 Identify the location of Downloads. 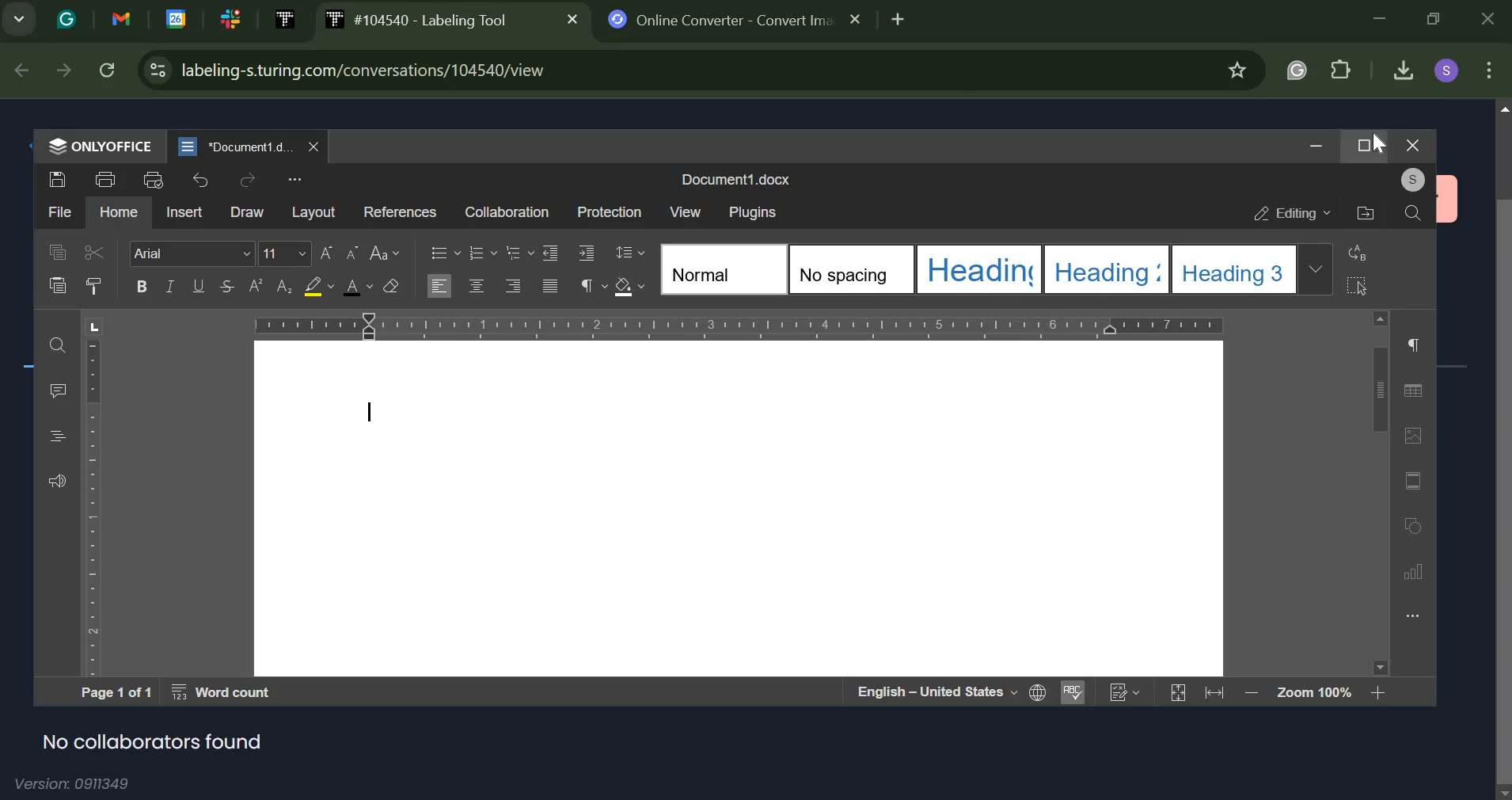
(1404, 67).